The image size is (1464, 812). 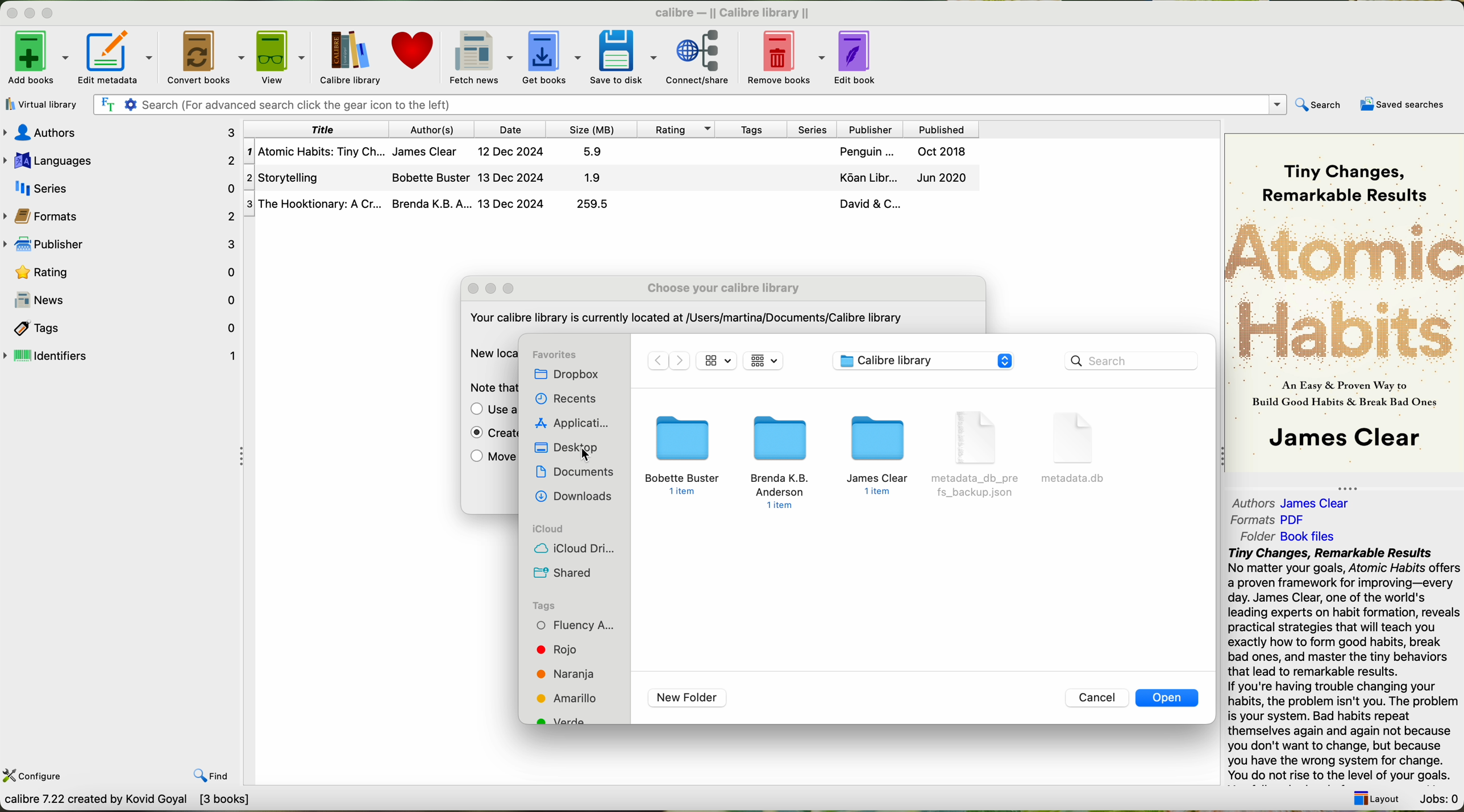 What do you see at coordinates (578, 473) in the screenshot?
I see `documents` at bounding box center [578, 473].